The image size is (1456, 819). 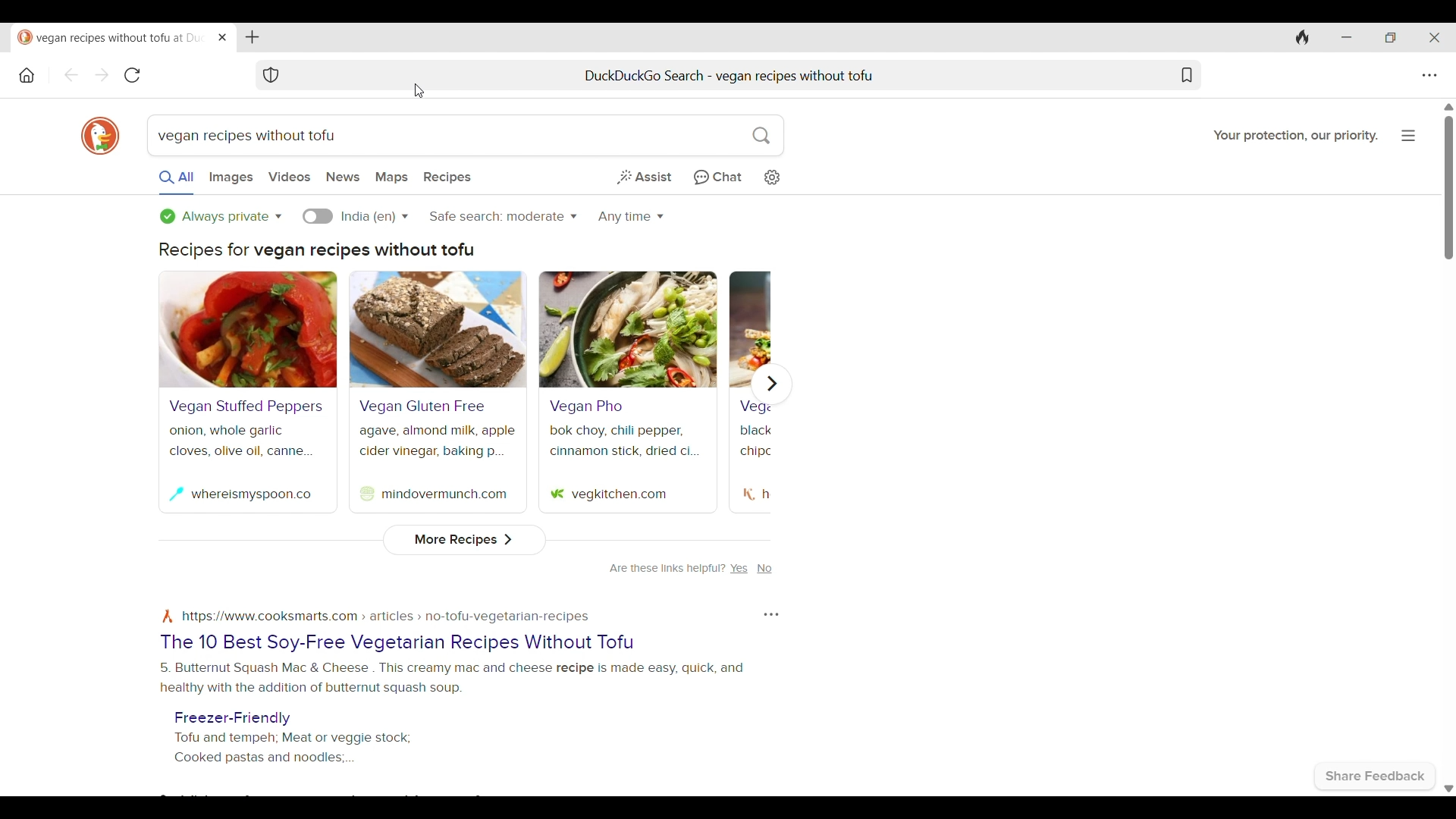 What do you see at coordinates (222, 37) in the screenshot?
I see `Close current open tab` at bounding box center [222, 37].